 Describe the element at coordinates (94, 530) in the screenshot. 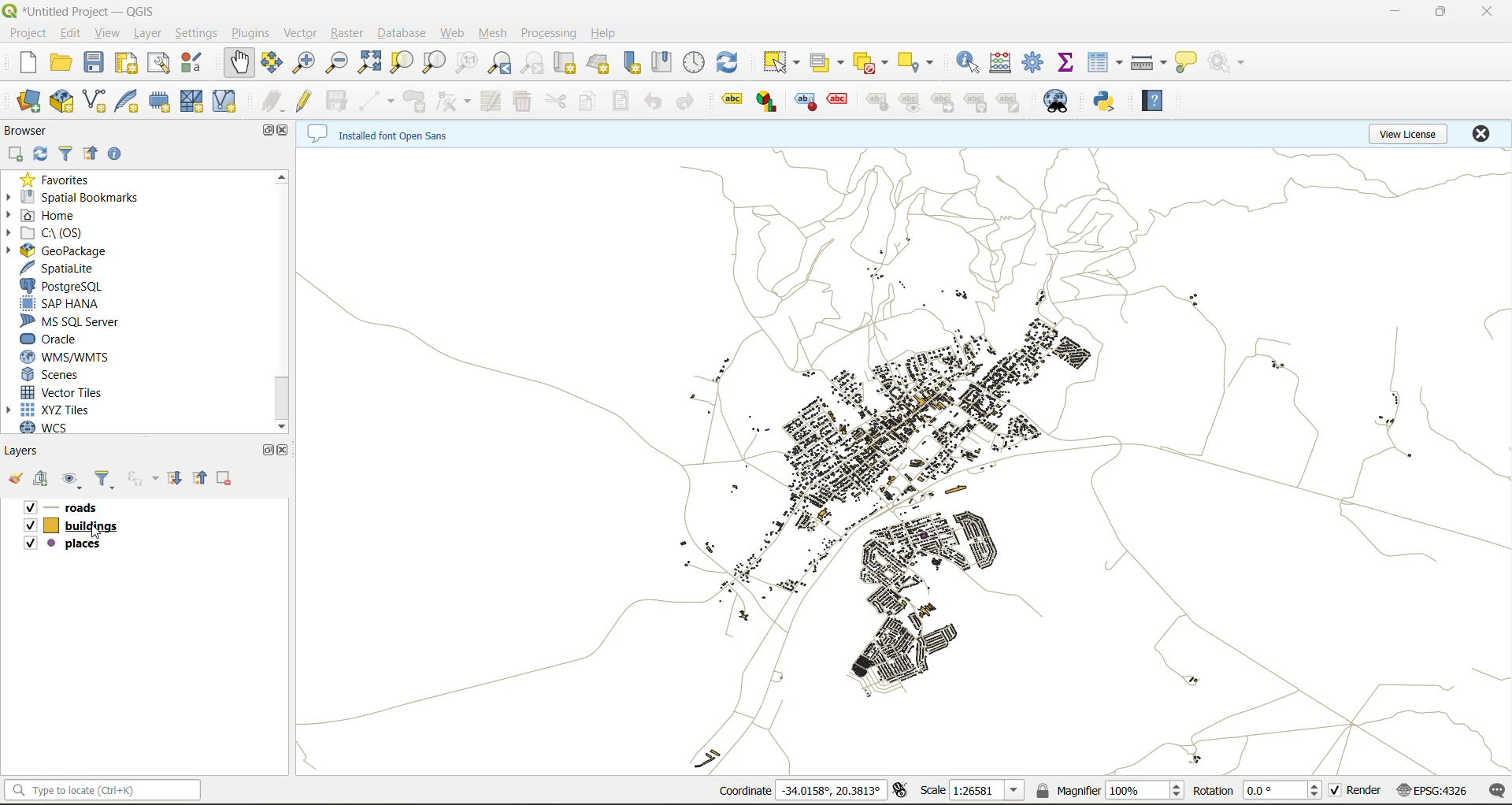

I see `cursor` at that location.